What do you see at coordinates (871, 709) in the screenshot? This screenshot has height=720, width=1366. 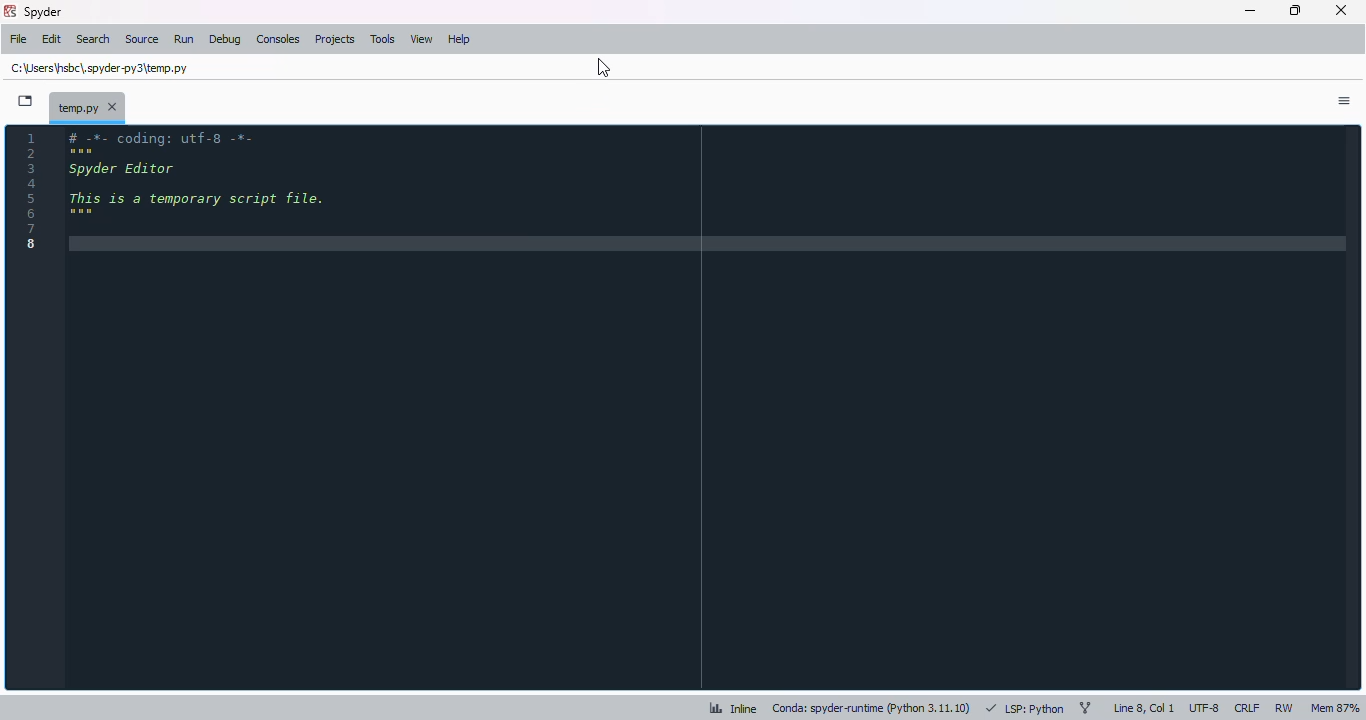 I see `conda: spyder-runtime (python 3. 11. 10)` at bounding box center [871, 709].